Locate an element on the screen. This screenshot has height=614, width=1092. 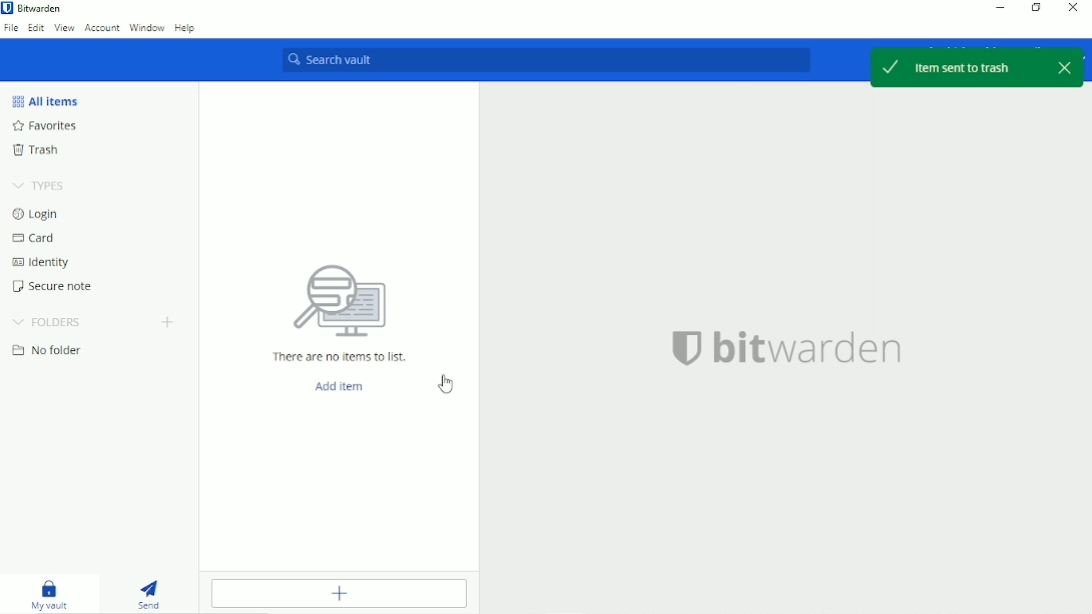
scroll down is located at coordinates (199, 101).